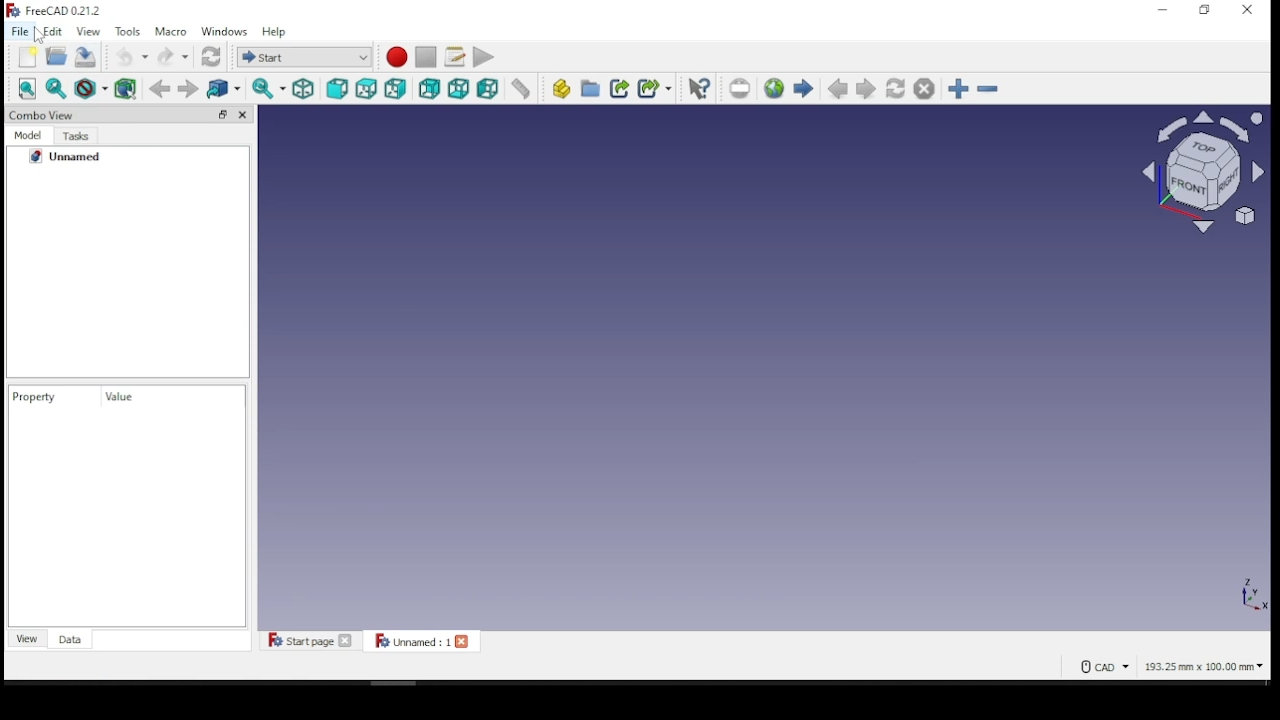 The image size is (1280, 720). What do you see at coordinates (775, 87) in the screenshot?
I see `open website` at bounding box center [775, 87].